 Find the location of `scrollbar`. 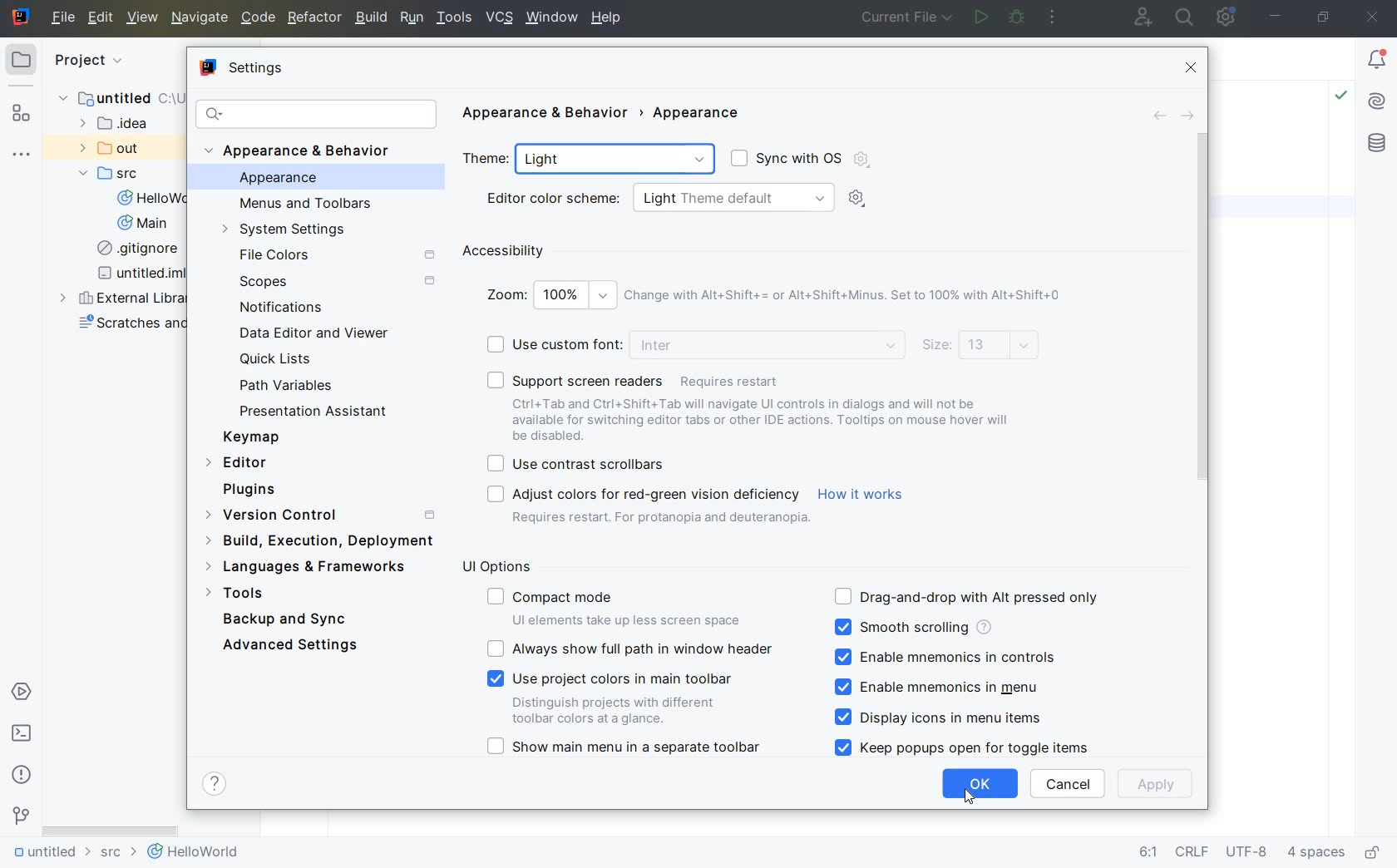

scrollbar is located at coordinates (1201, 307).